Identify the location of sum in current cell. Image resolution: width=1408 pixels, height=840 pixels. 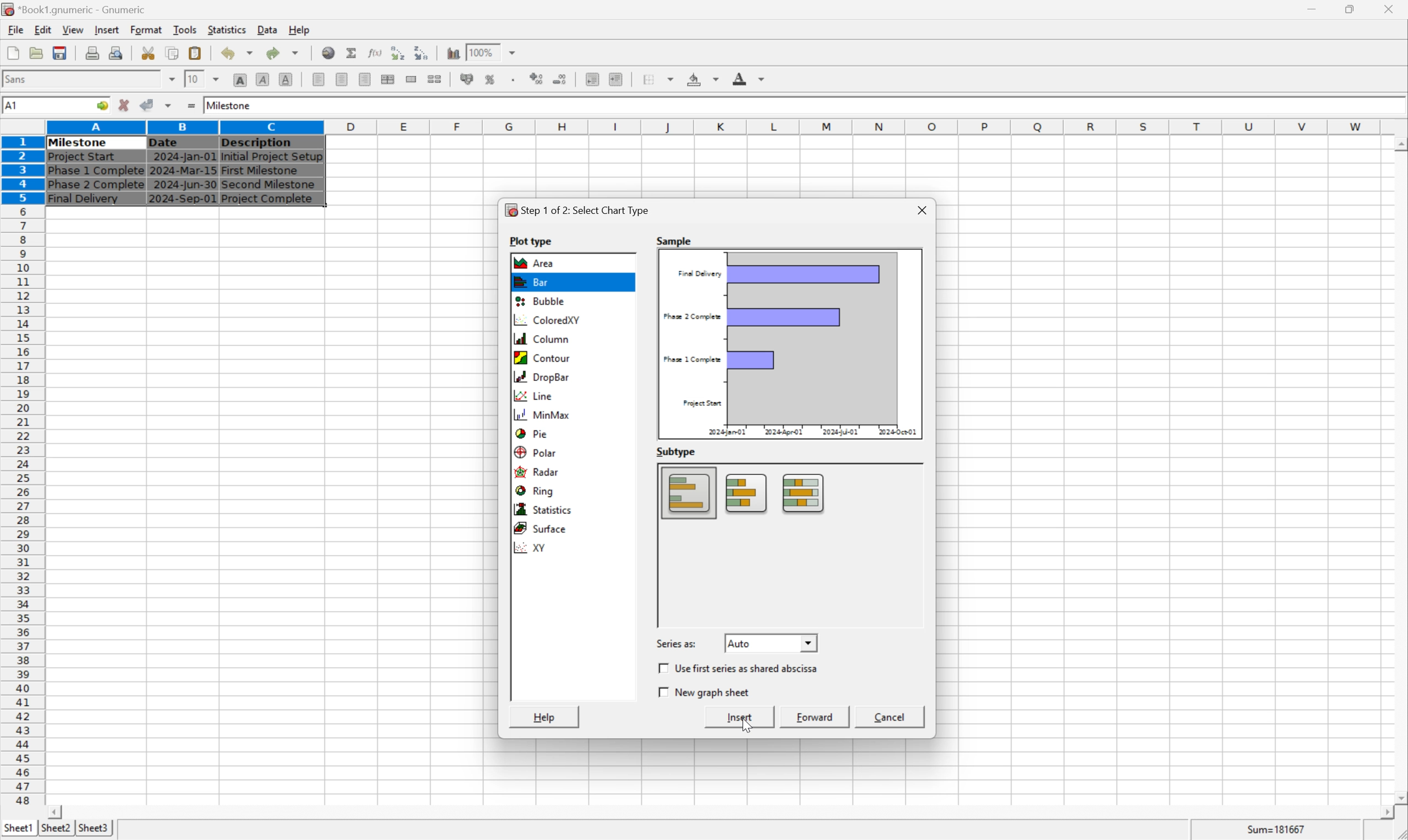
(353, 53).